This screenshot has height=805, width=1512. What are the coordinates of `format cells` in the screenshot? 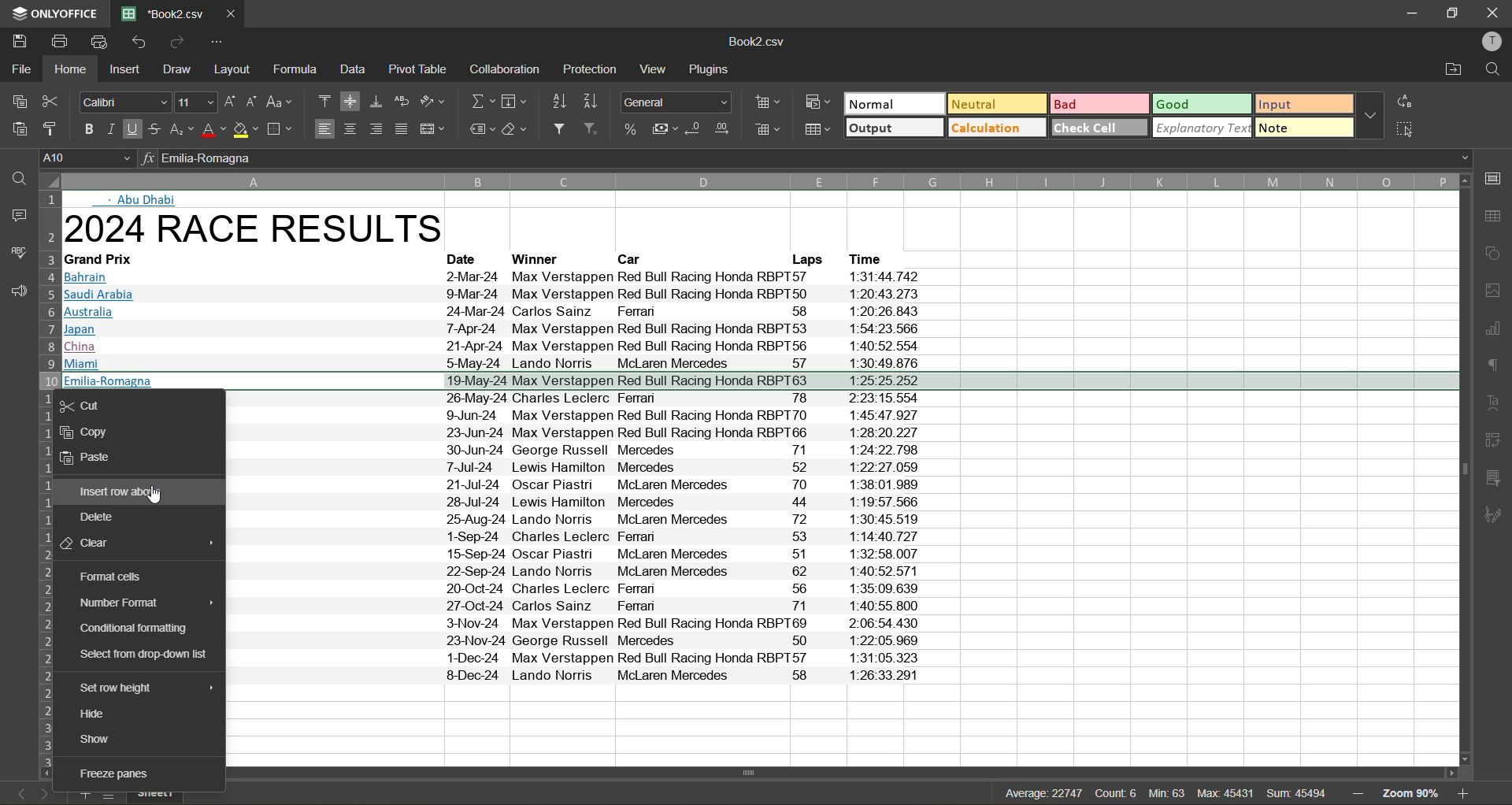 It's located at (113, 576).